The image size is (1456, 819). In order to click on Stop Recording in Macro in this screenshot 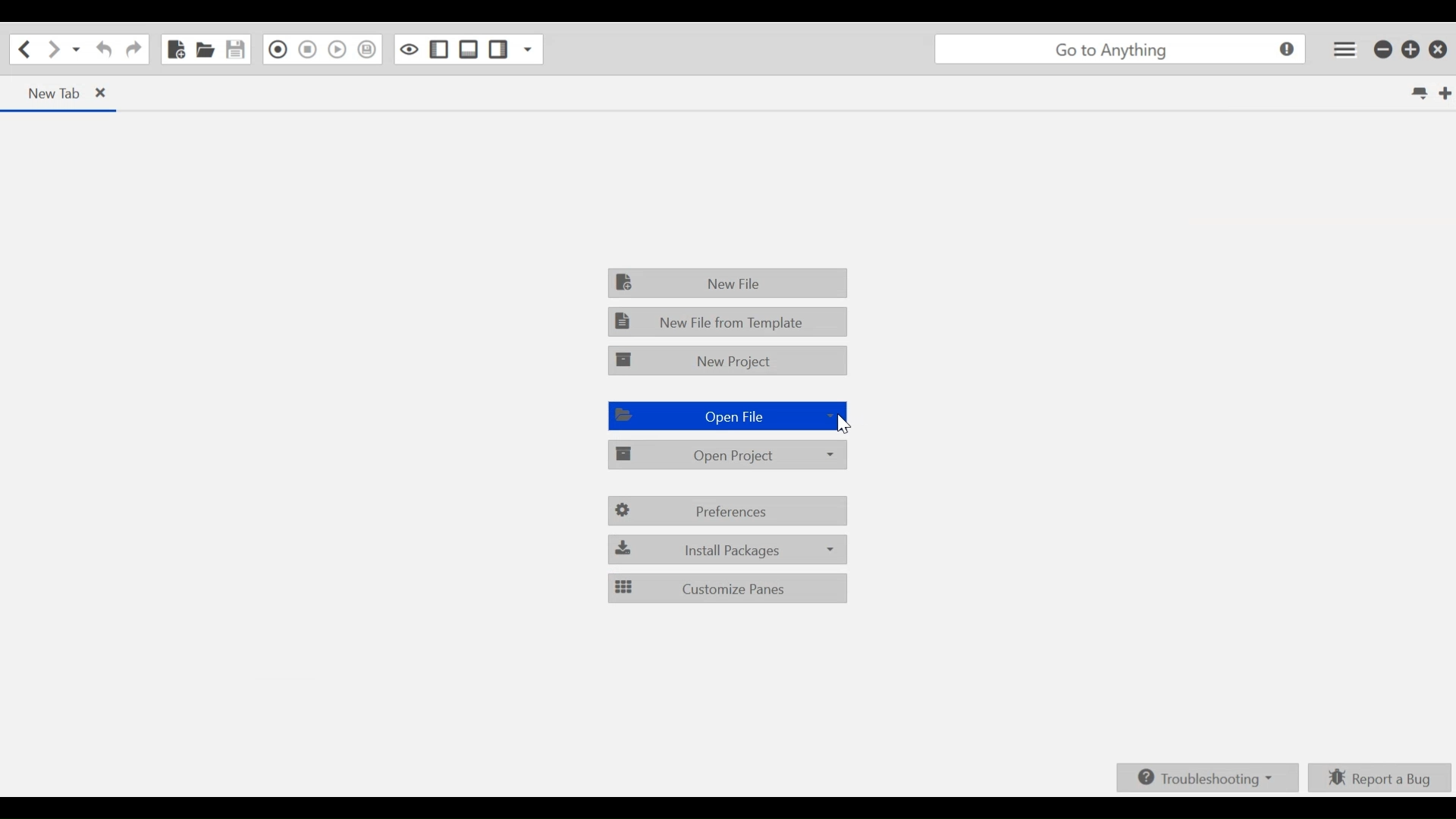, I will do `click(306, 50)`.